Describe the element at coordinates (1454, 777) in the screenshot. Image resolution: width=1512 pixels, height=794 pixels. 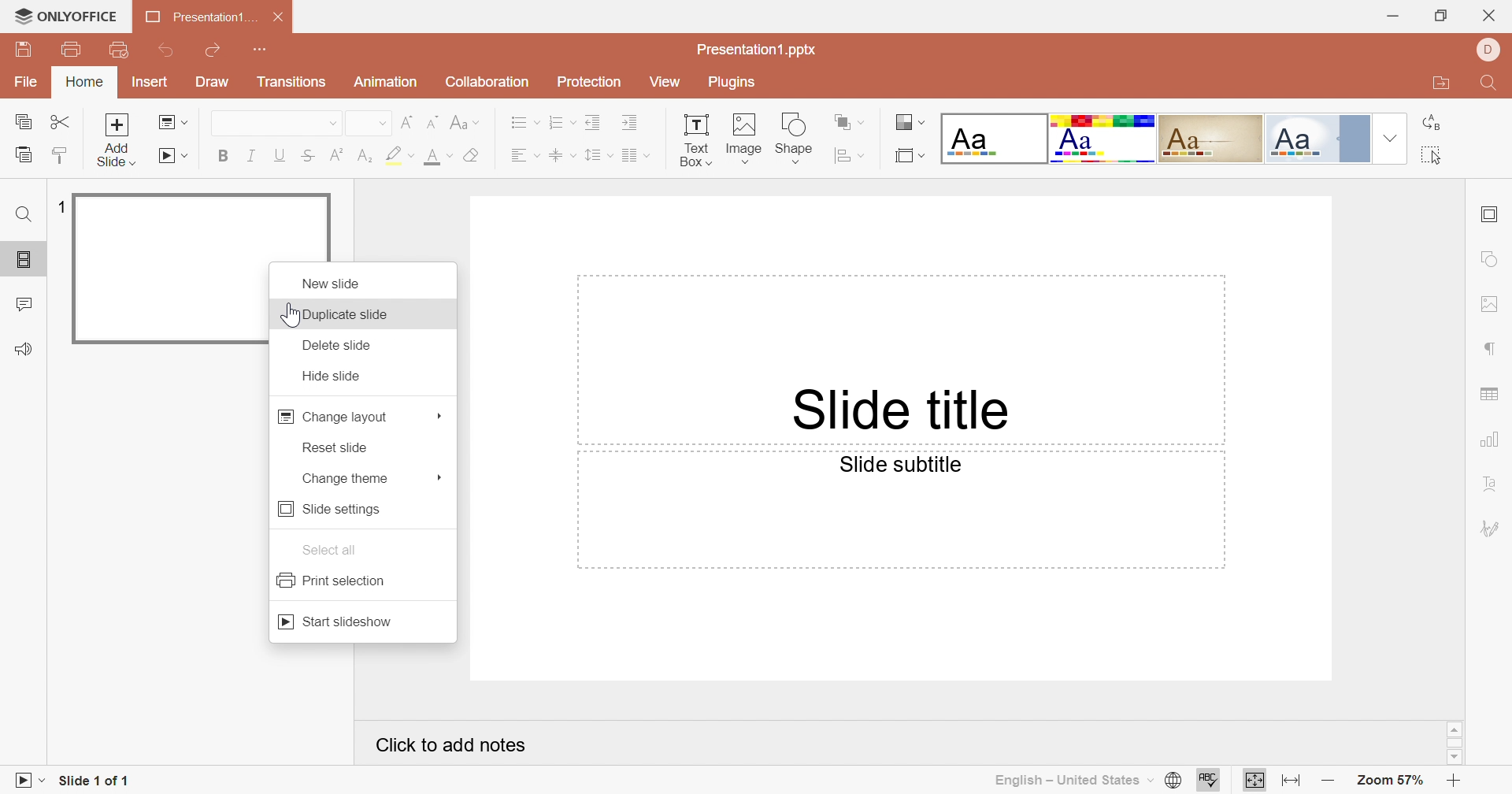
I see `Zoom in` at that location.